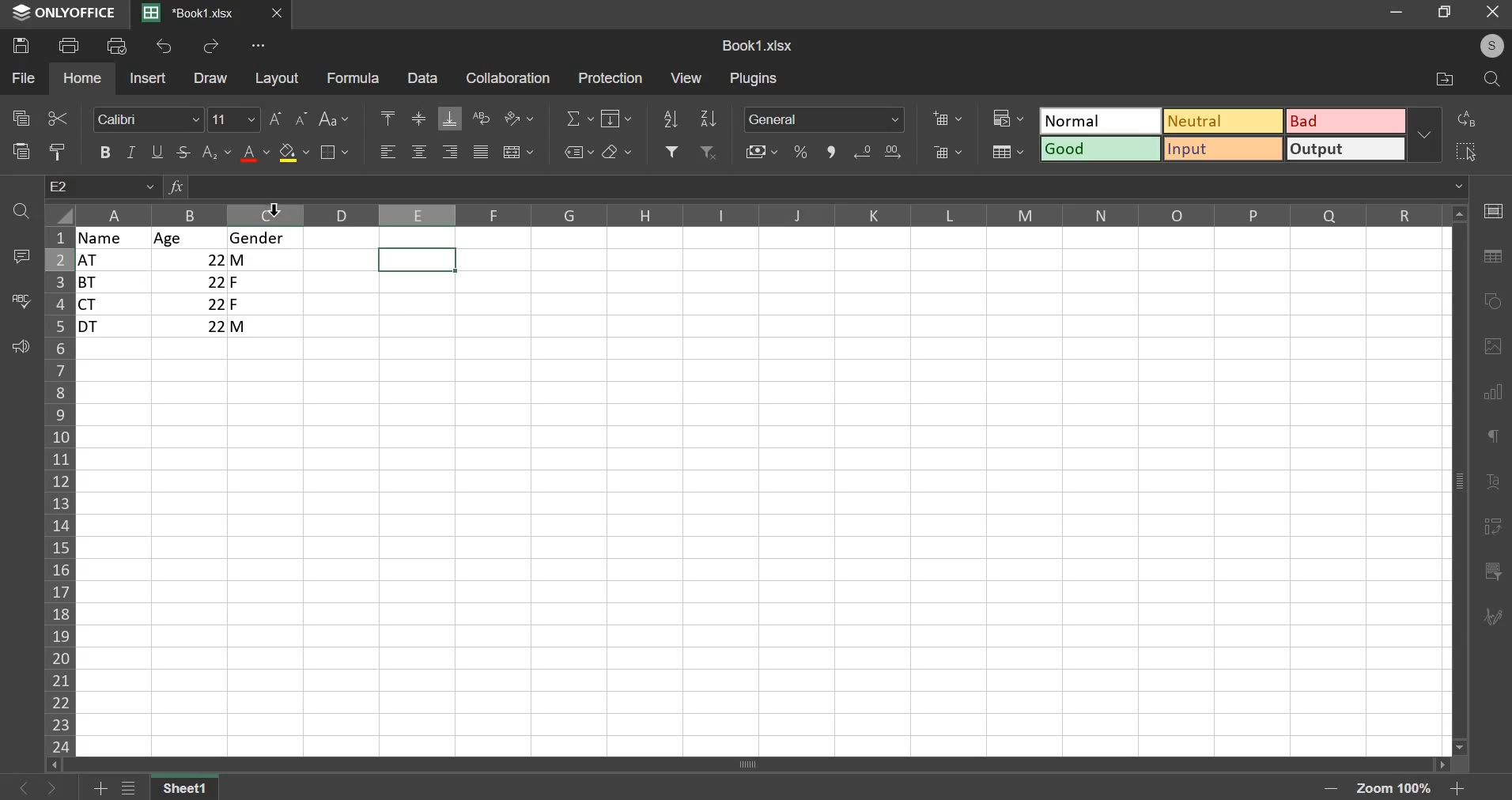 The height and width of the screenshot is (800, 1512). I want to click on name, so click(115, 237).